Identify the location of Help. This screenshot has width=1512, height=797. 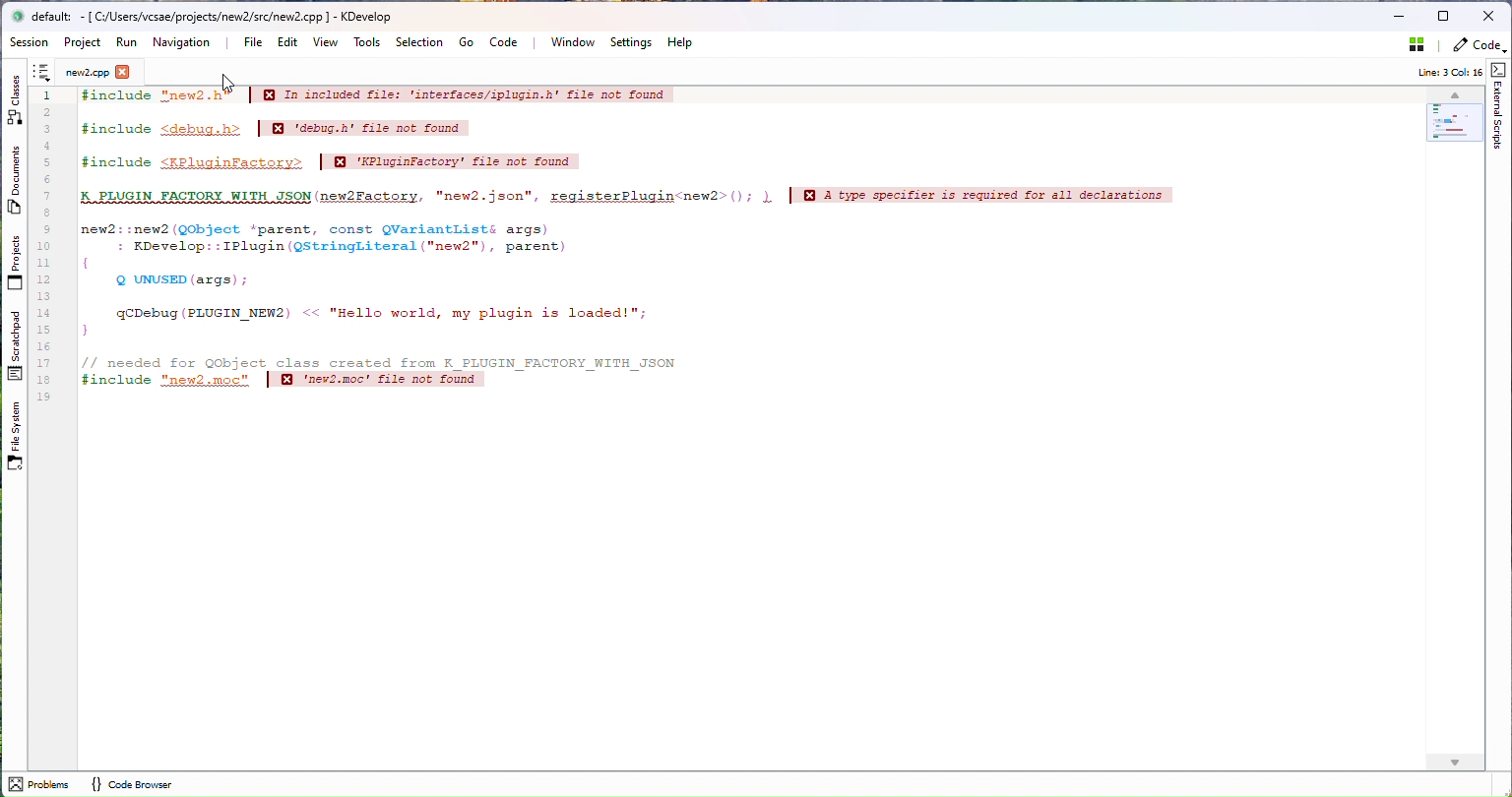
(680, 44).